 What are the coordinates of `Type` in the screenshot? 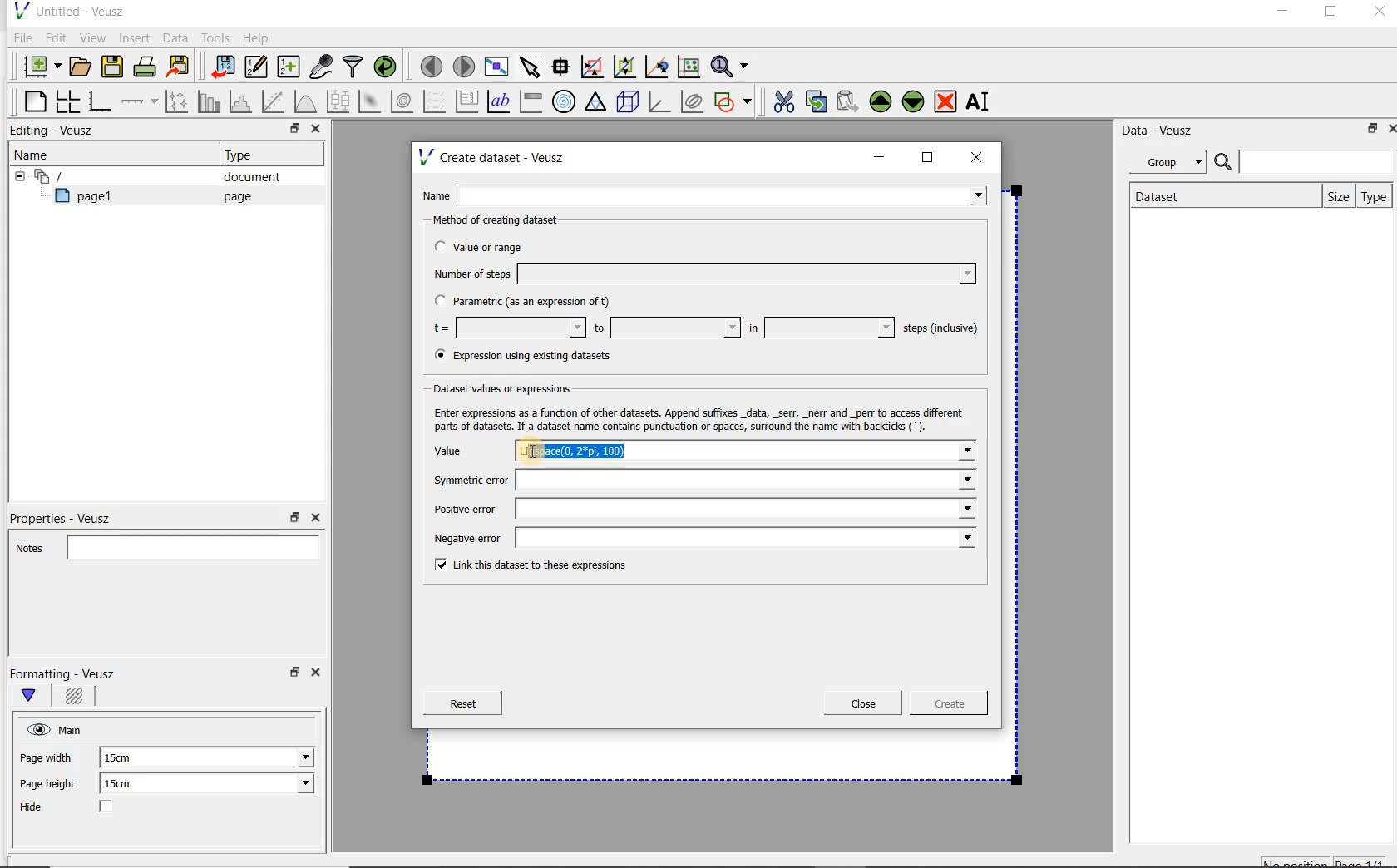 It's located at (1375, 196).